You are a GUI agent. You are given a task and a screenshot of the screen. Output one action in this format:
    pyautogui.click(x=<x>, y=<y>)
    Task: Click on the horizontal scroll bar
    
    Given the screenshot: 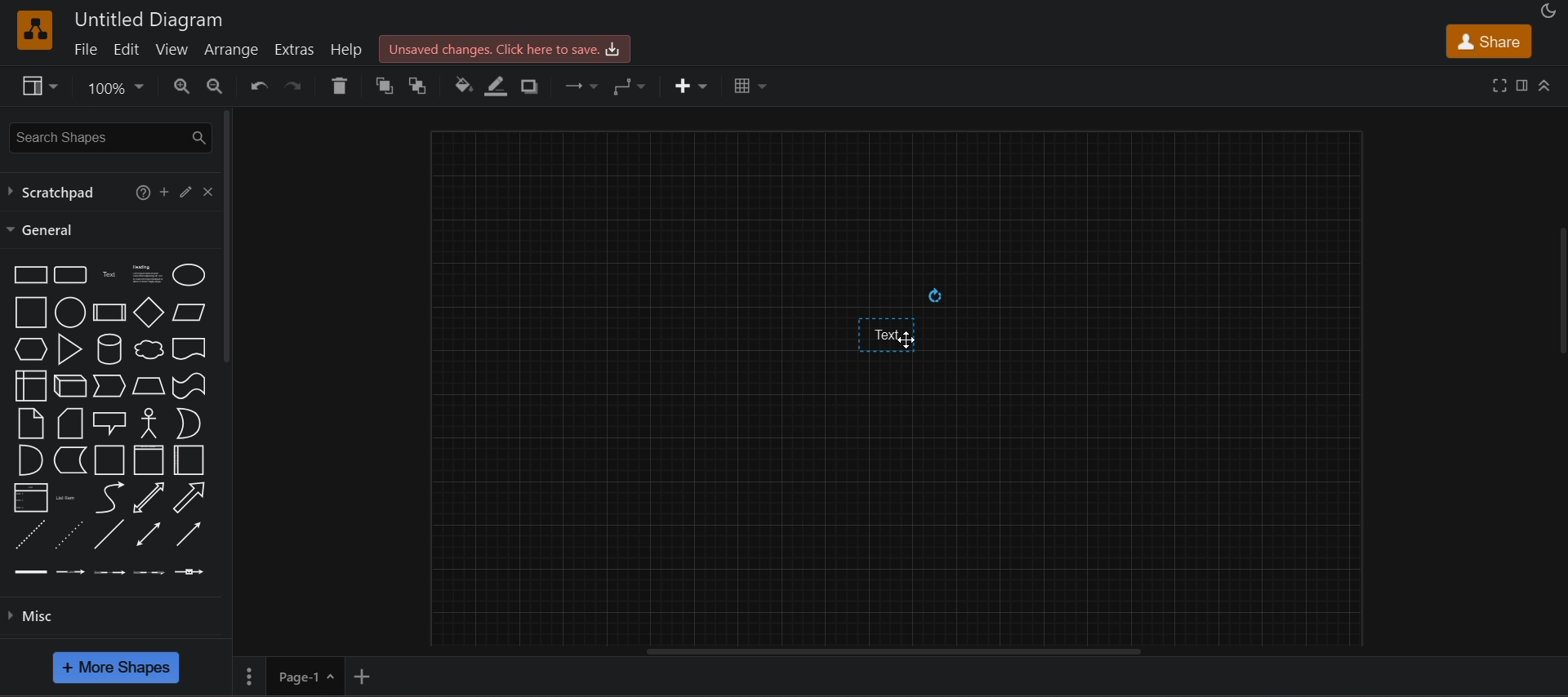 What is the action you would take?
    pyautogui.click(x=892, y=651)
    